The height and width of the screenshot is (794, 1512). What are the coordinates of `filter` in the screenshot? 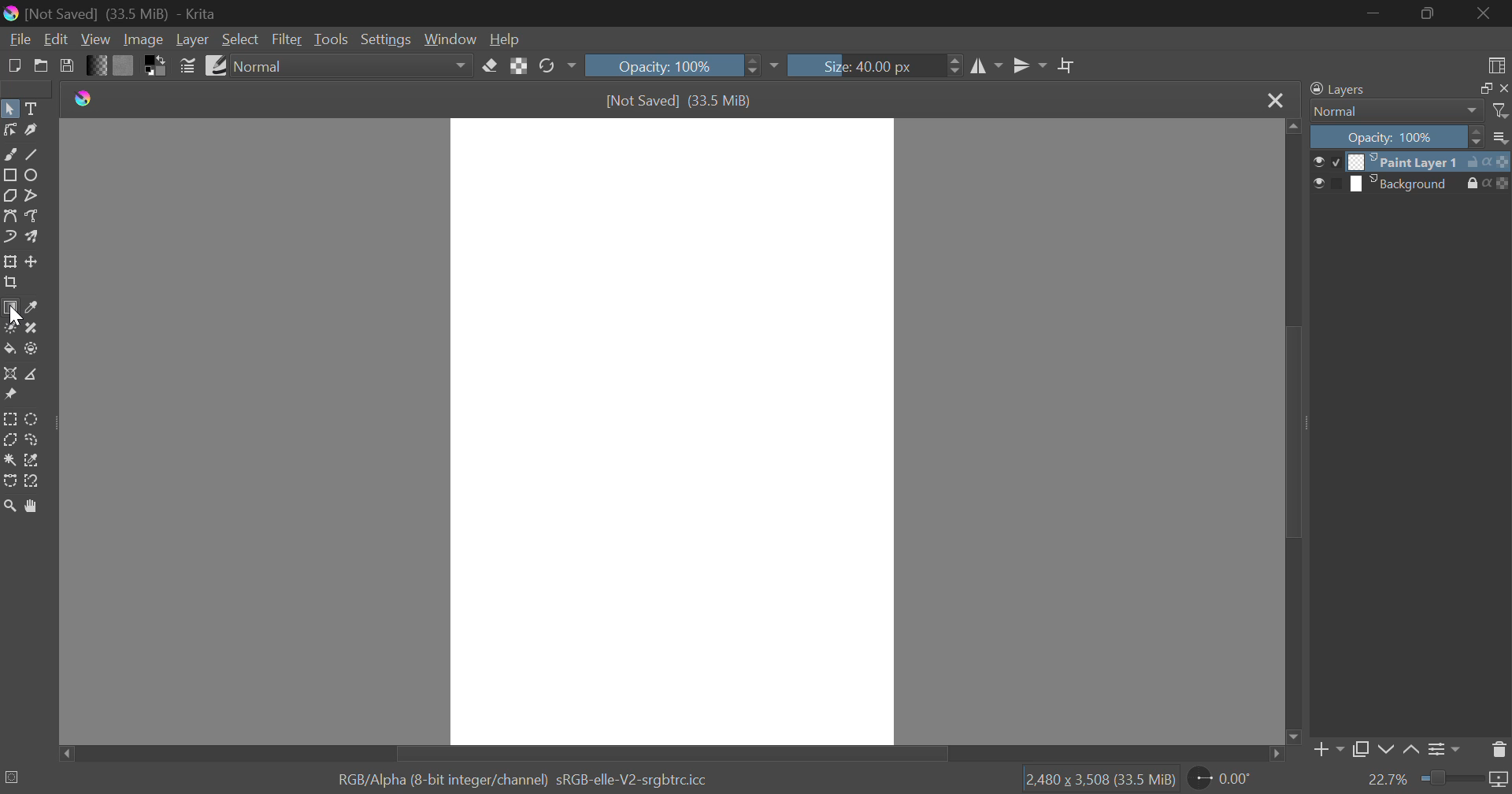 It's located at (1502, 111).